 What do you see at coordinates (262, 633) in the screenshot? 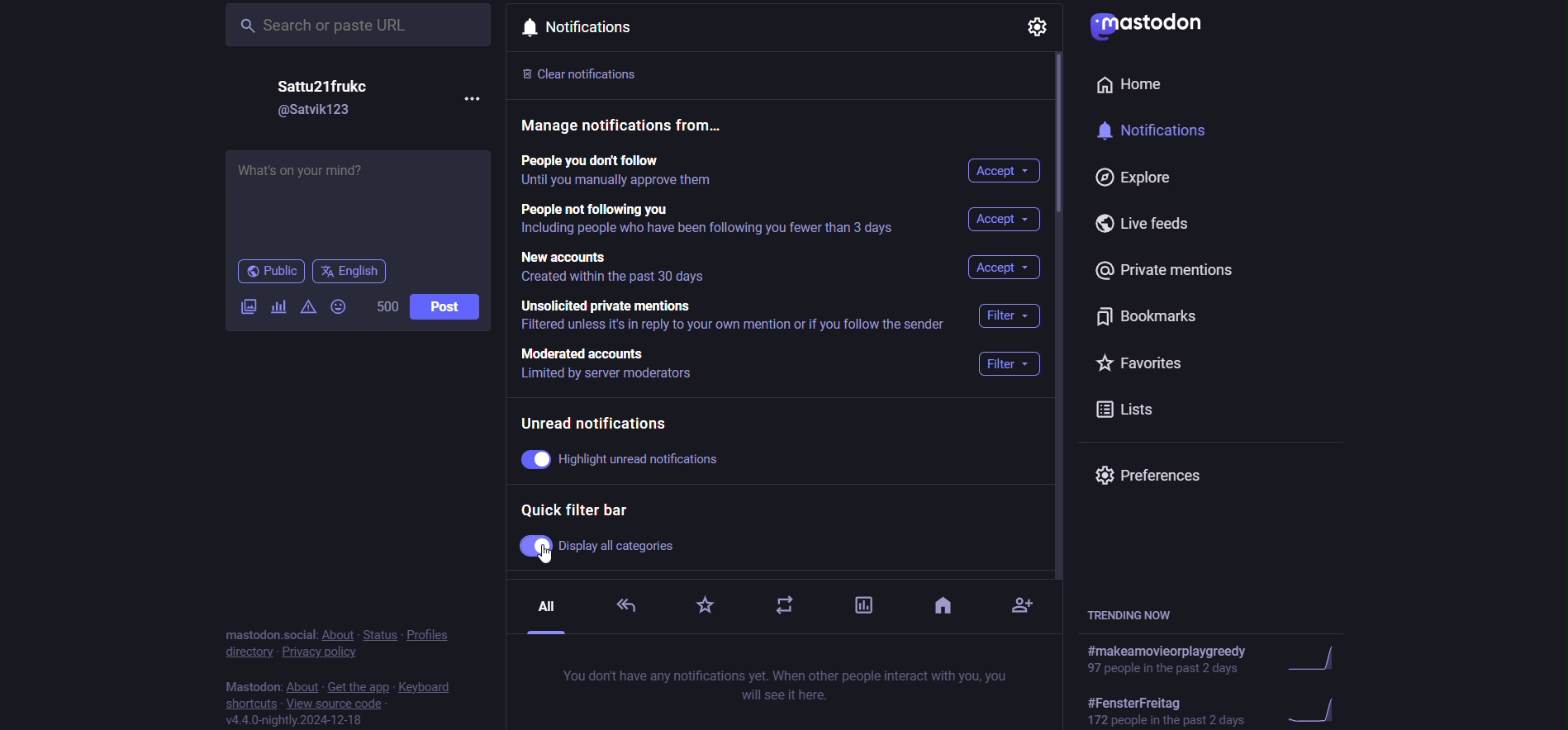
I see `mastodon social` at bounding box center [262, 633].